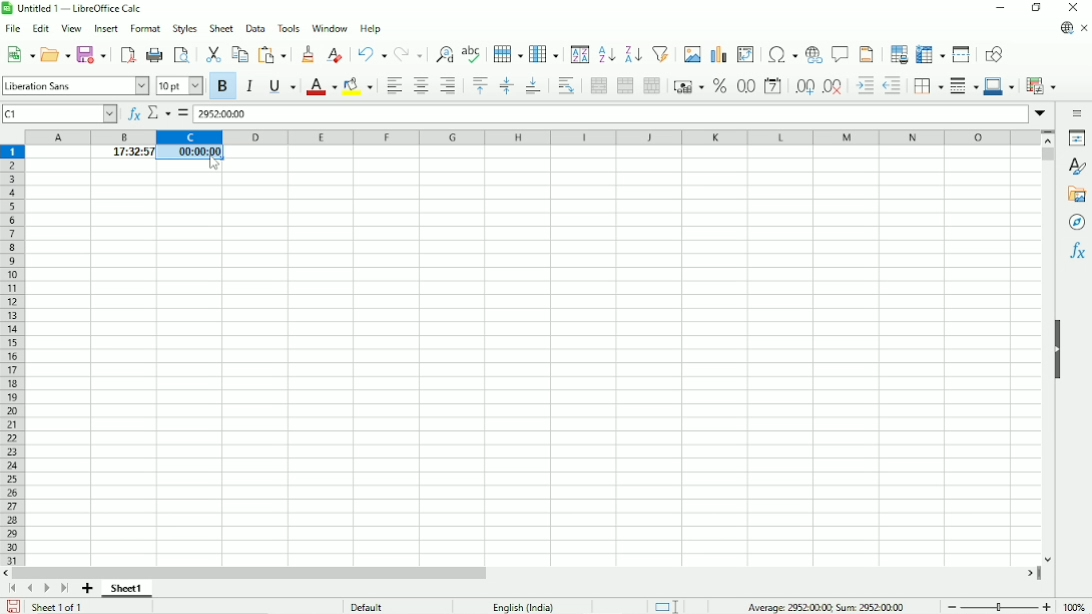  I want to click on Sheet, so click(221, 29).